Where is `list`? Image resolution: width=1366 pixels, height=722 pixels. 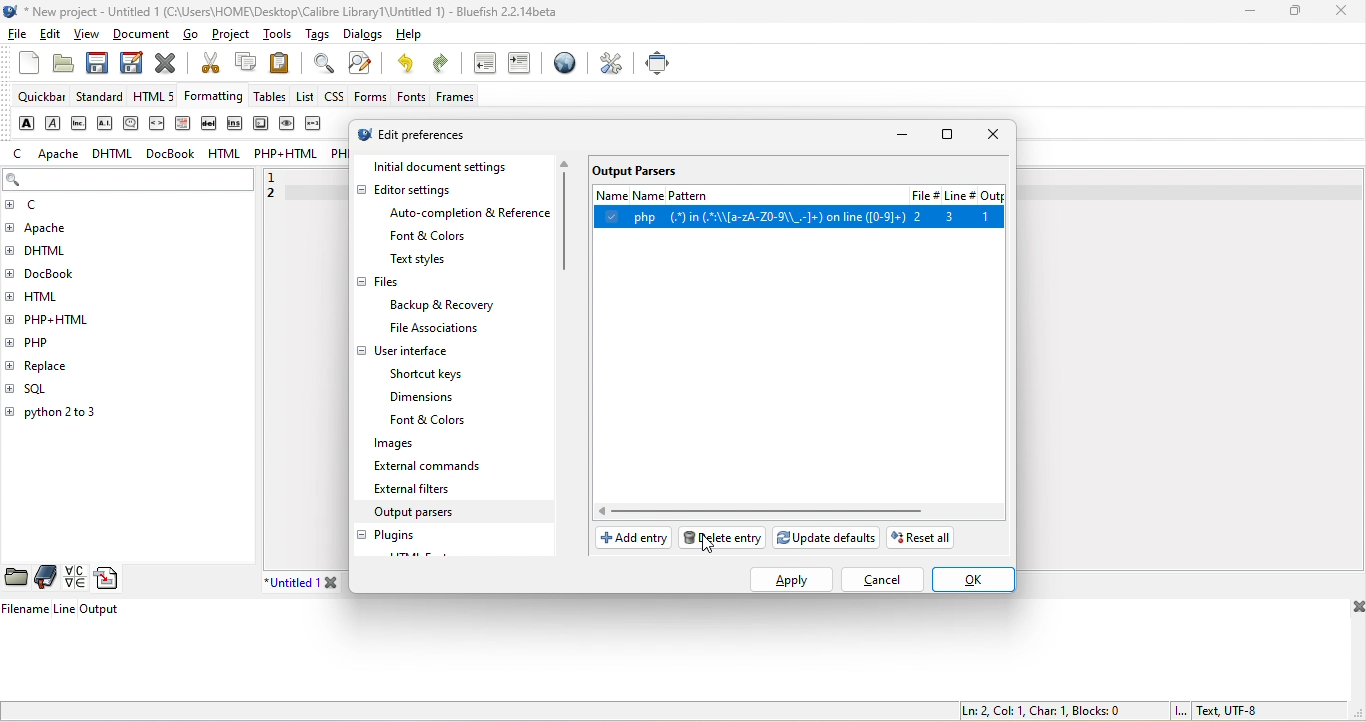
list is located at coordinates (305, 96).